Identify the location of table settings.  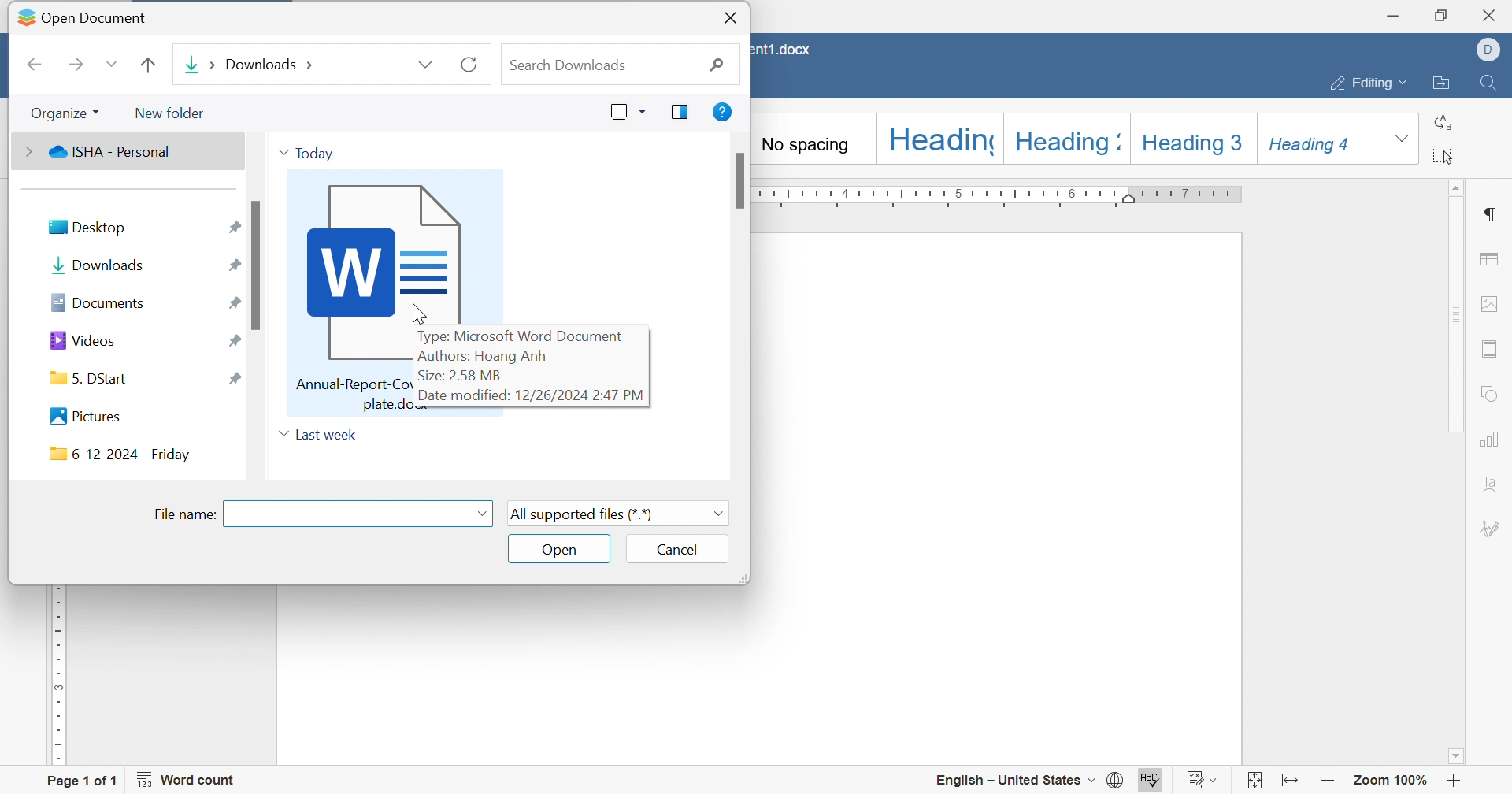
(1492, 262).